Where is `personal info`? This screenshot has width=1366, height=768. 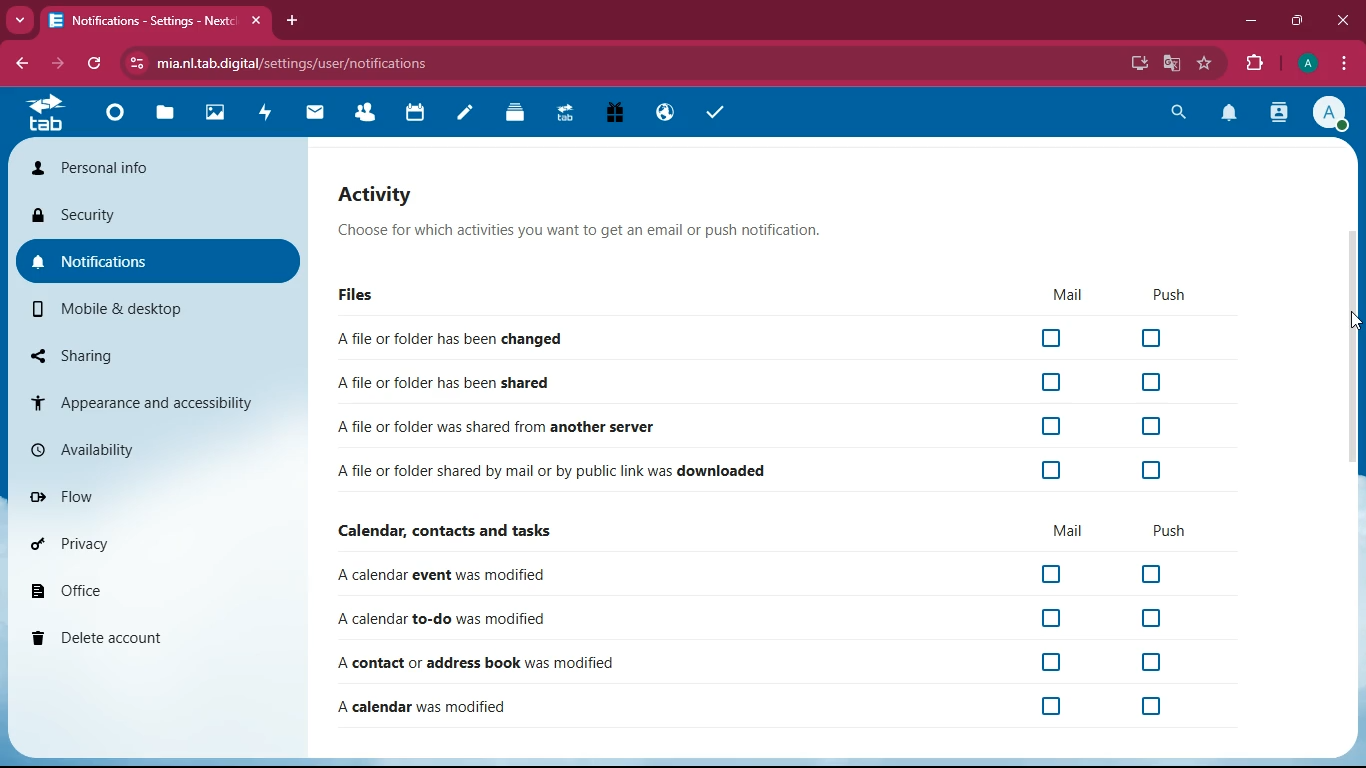 personal info is located at coordinates (160, 167).